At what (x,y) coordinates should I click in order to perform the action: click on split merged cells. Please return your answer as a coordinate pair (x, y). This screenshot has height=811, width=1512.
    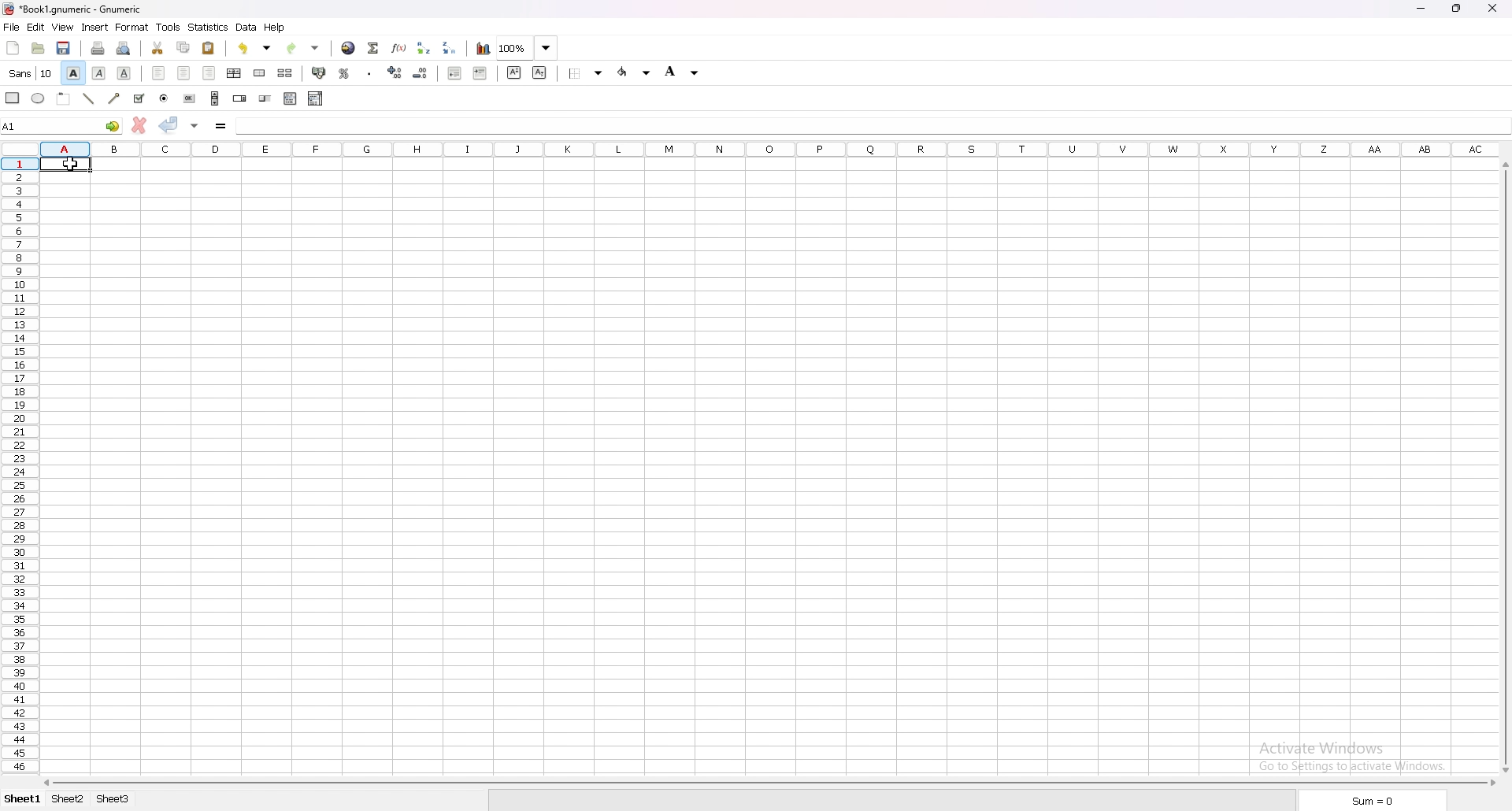
    Looking at the image, I should click on (285, 73).